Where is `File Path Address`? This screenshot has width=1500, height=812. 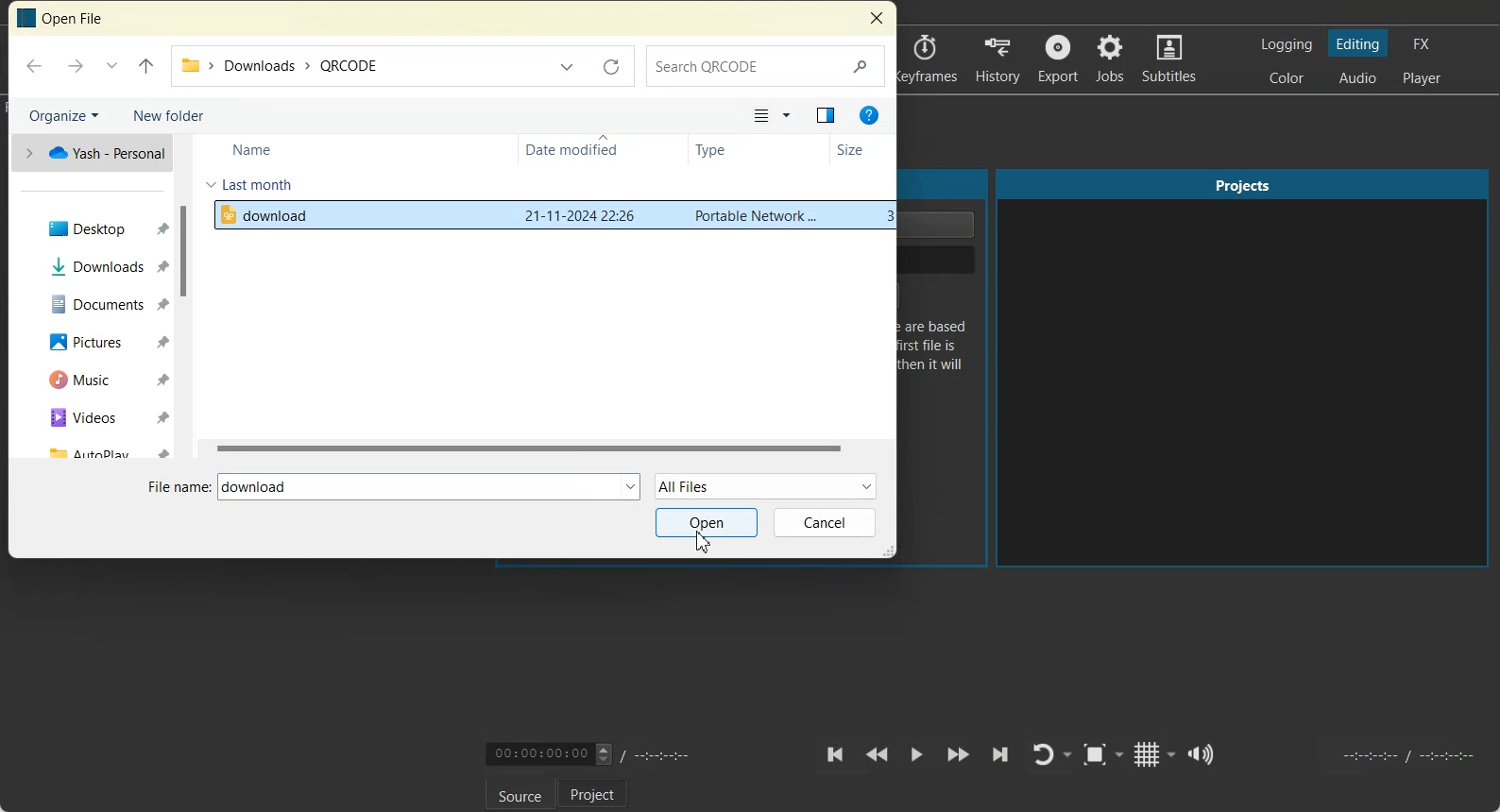
File Path Address is located at coordinates (358, 67).